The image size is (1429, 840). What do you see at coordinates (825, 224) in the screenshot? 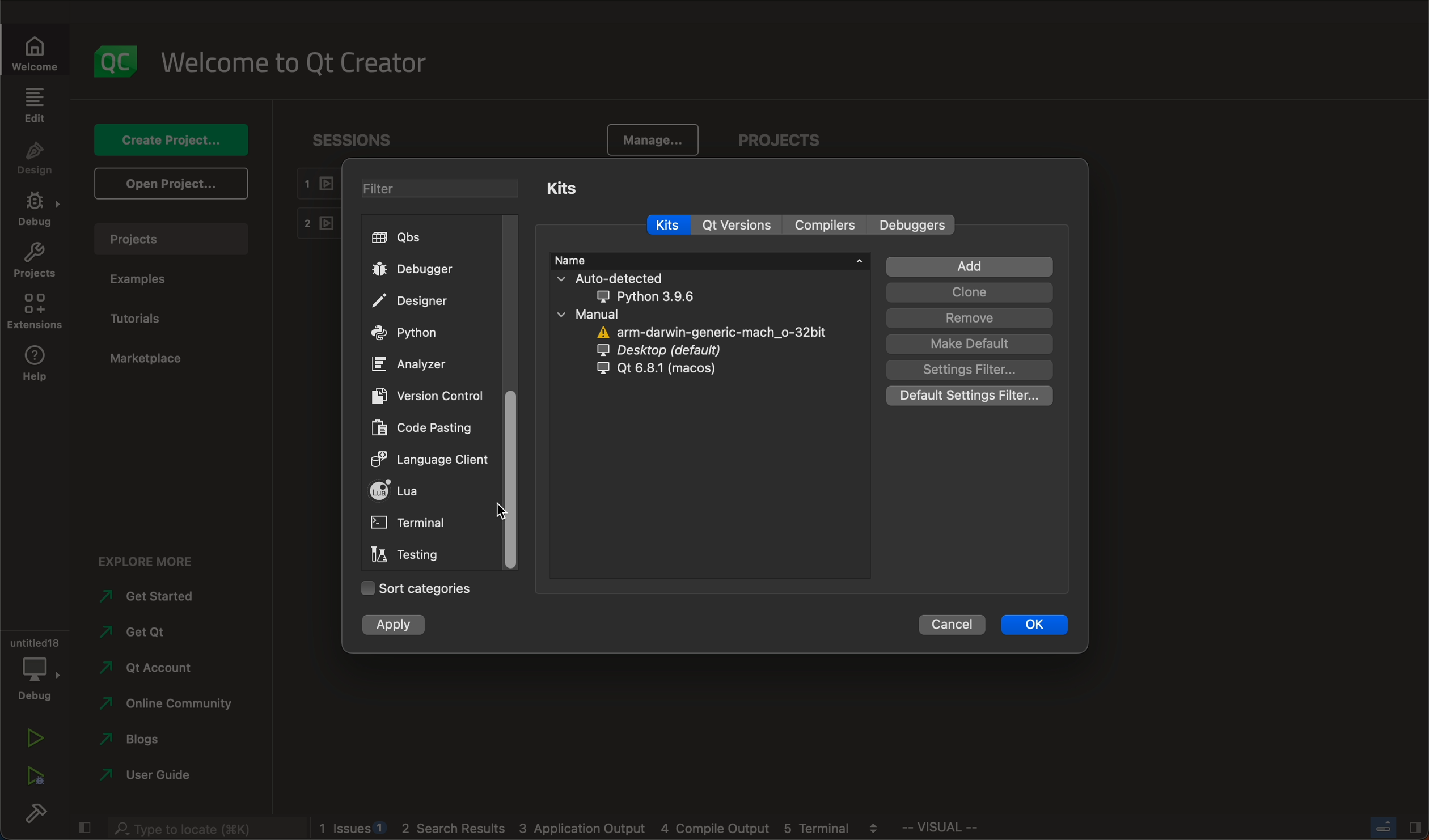
I see `compilers` at bounding box center [825, 224].